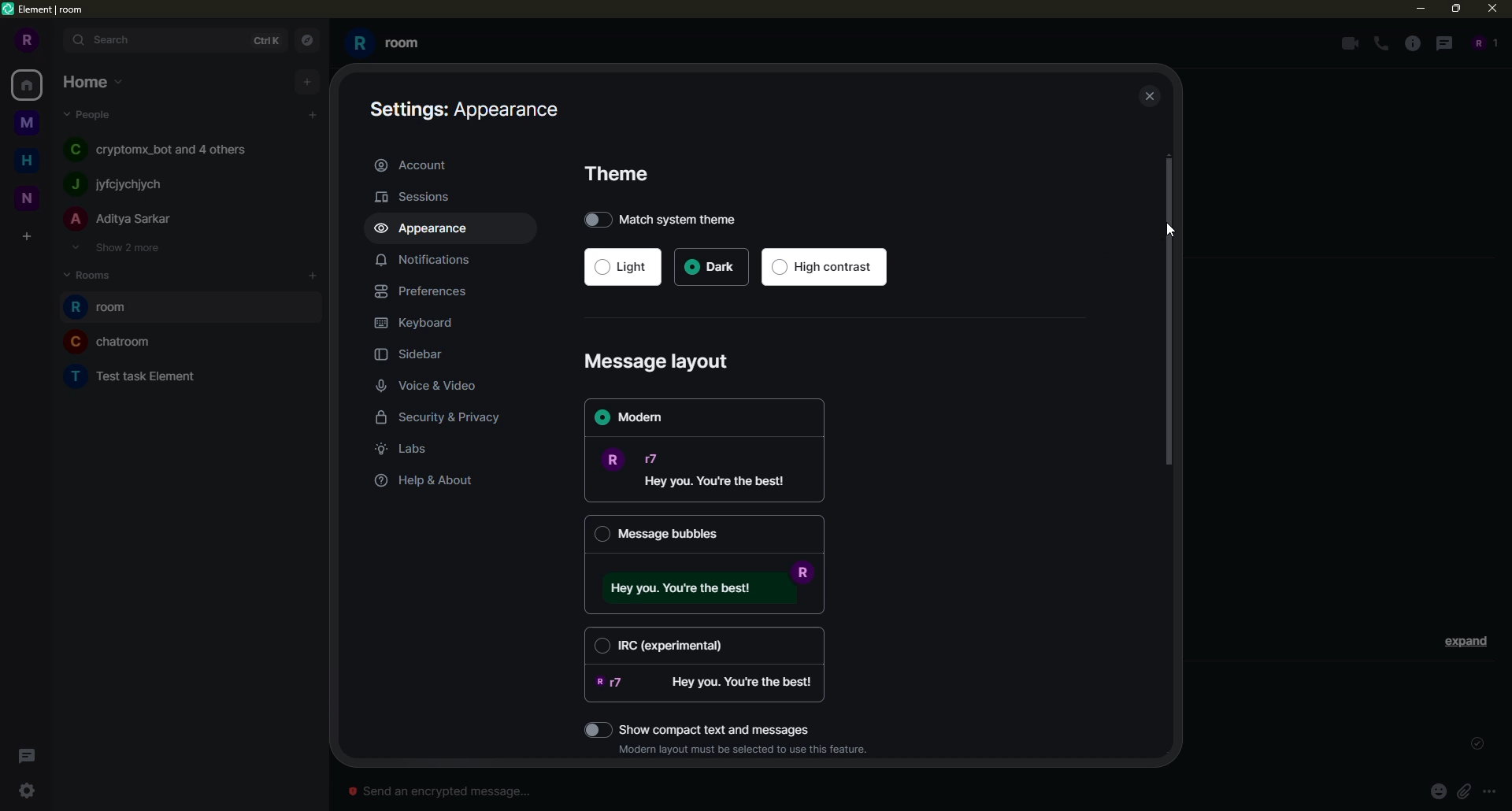 The height and width of the screenshot is (811, 1512). I want to click on voice call, so click(1383, 44).